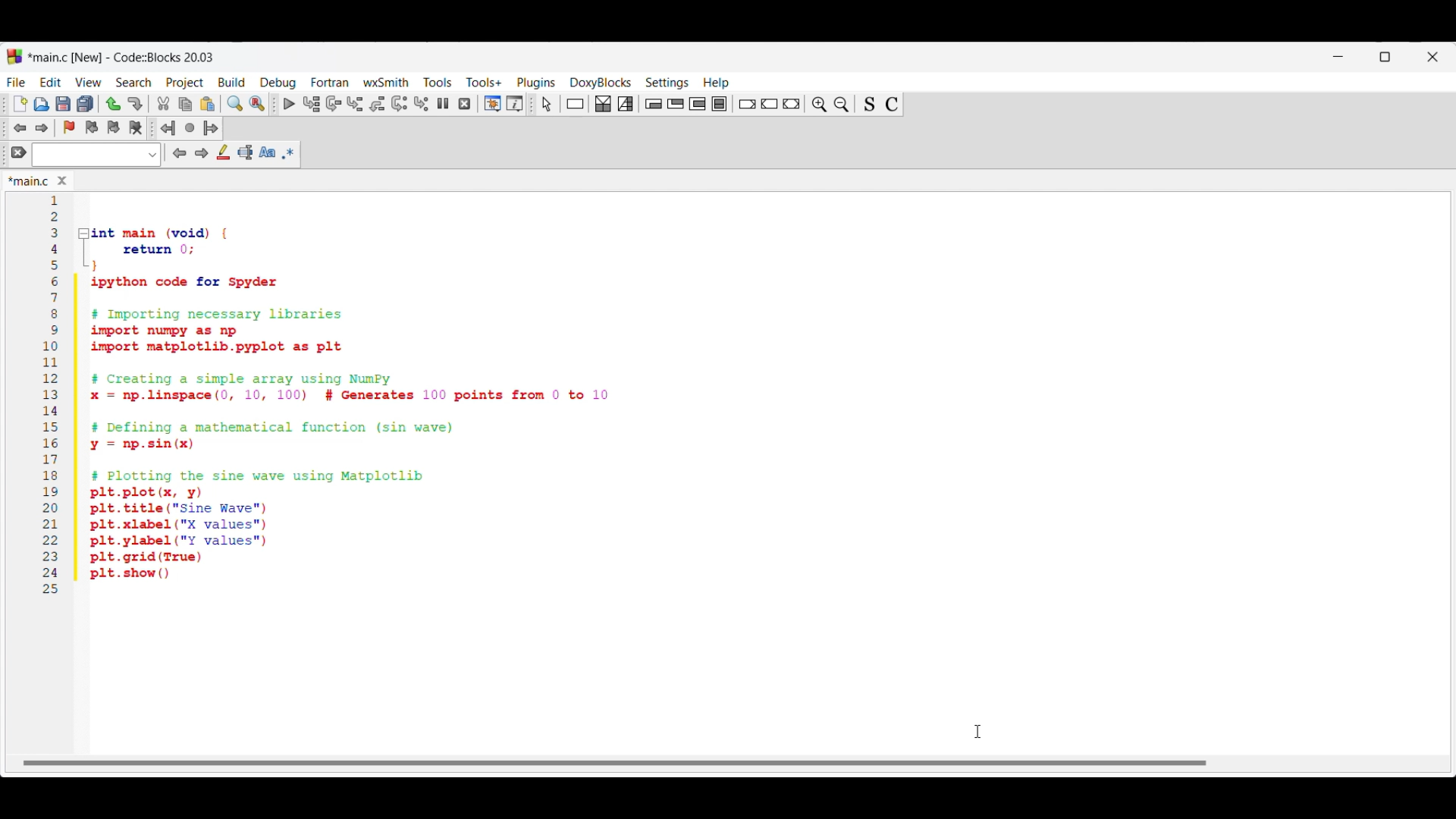 This screenshot has width=1456, height=819. Describe the element at coordinates (185, 105) in the screenshot. I see `Copy` at that location.